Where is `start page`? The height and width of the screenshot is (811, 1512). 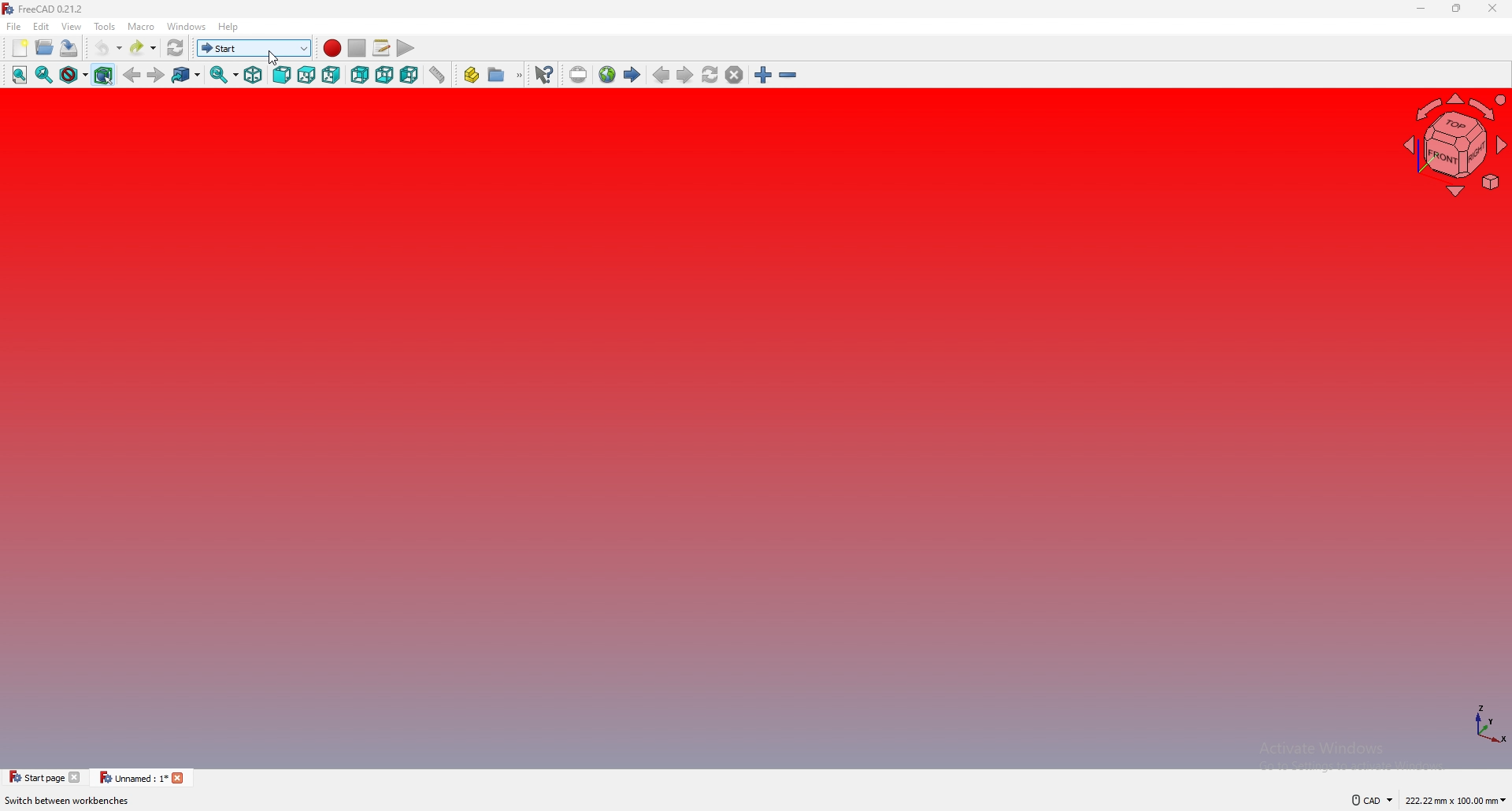 start page is located at coordinates (632, 74).